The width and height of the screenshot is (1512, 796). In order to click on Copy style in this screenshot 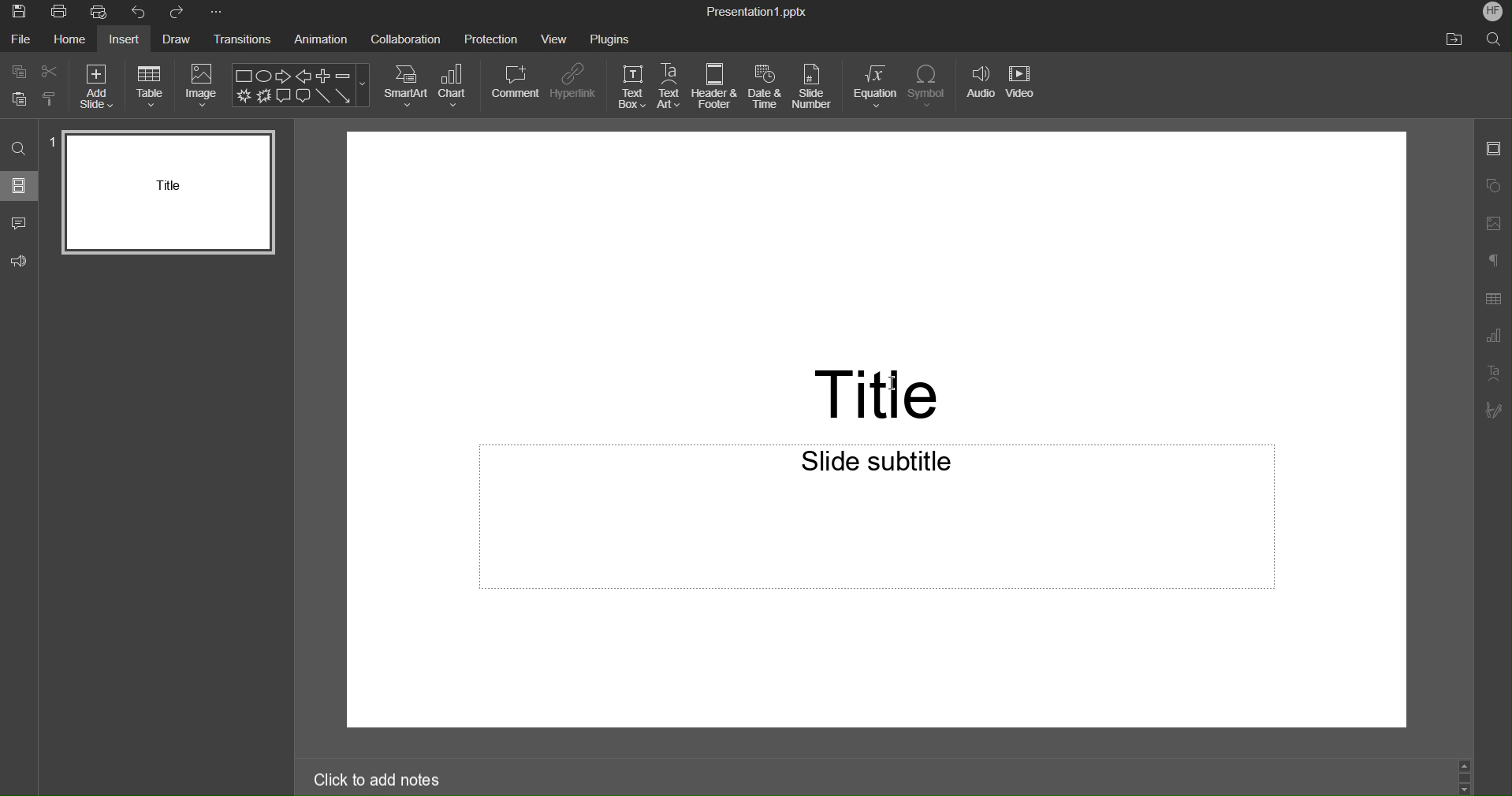, I will do `click(49, 99)`.